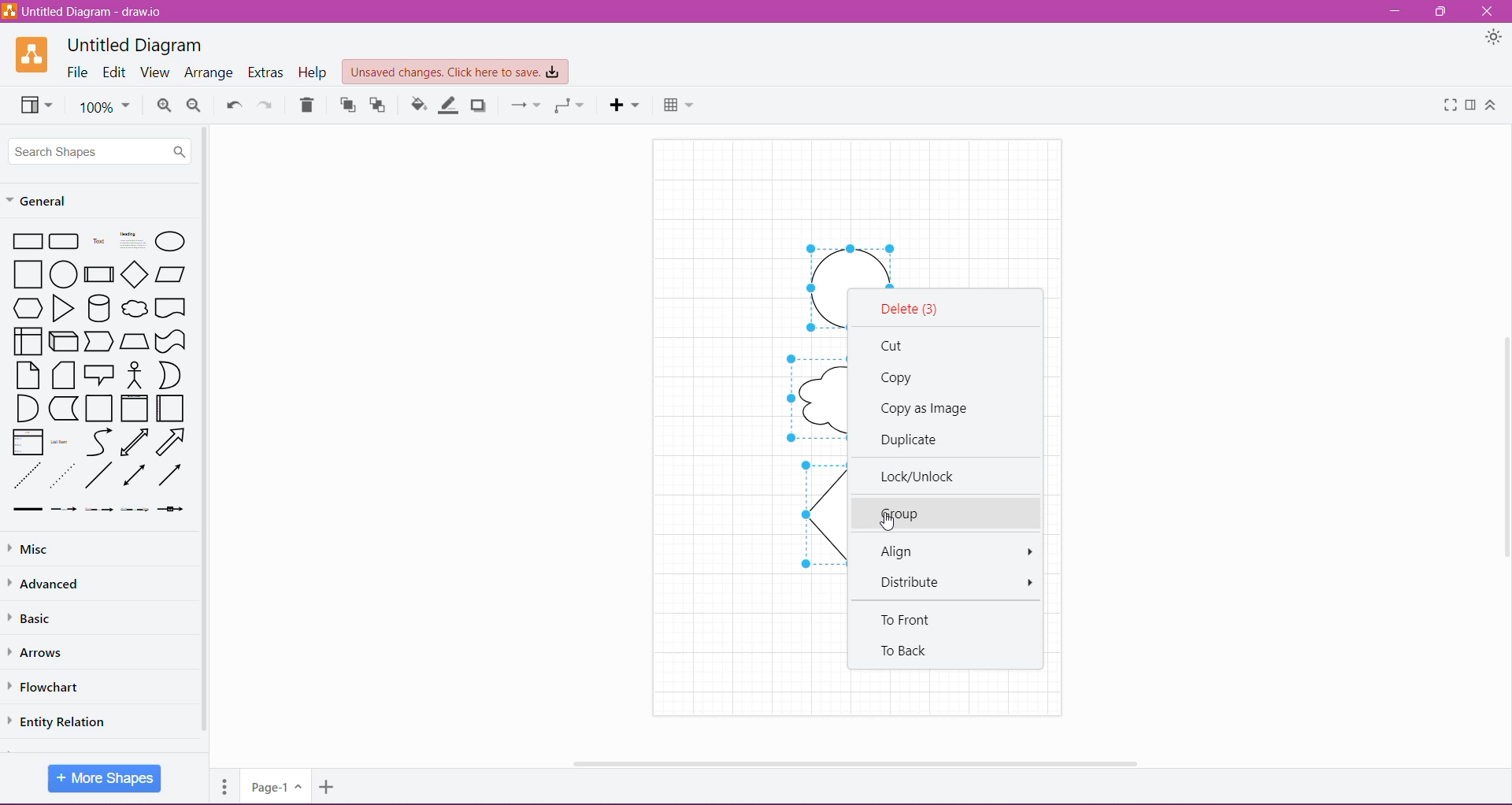  Describe the element at coordinates (910, 440) in the screenshot. I see `Duplicate` at that location.